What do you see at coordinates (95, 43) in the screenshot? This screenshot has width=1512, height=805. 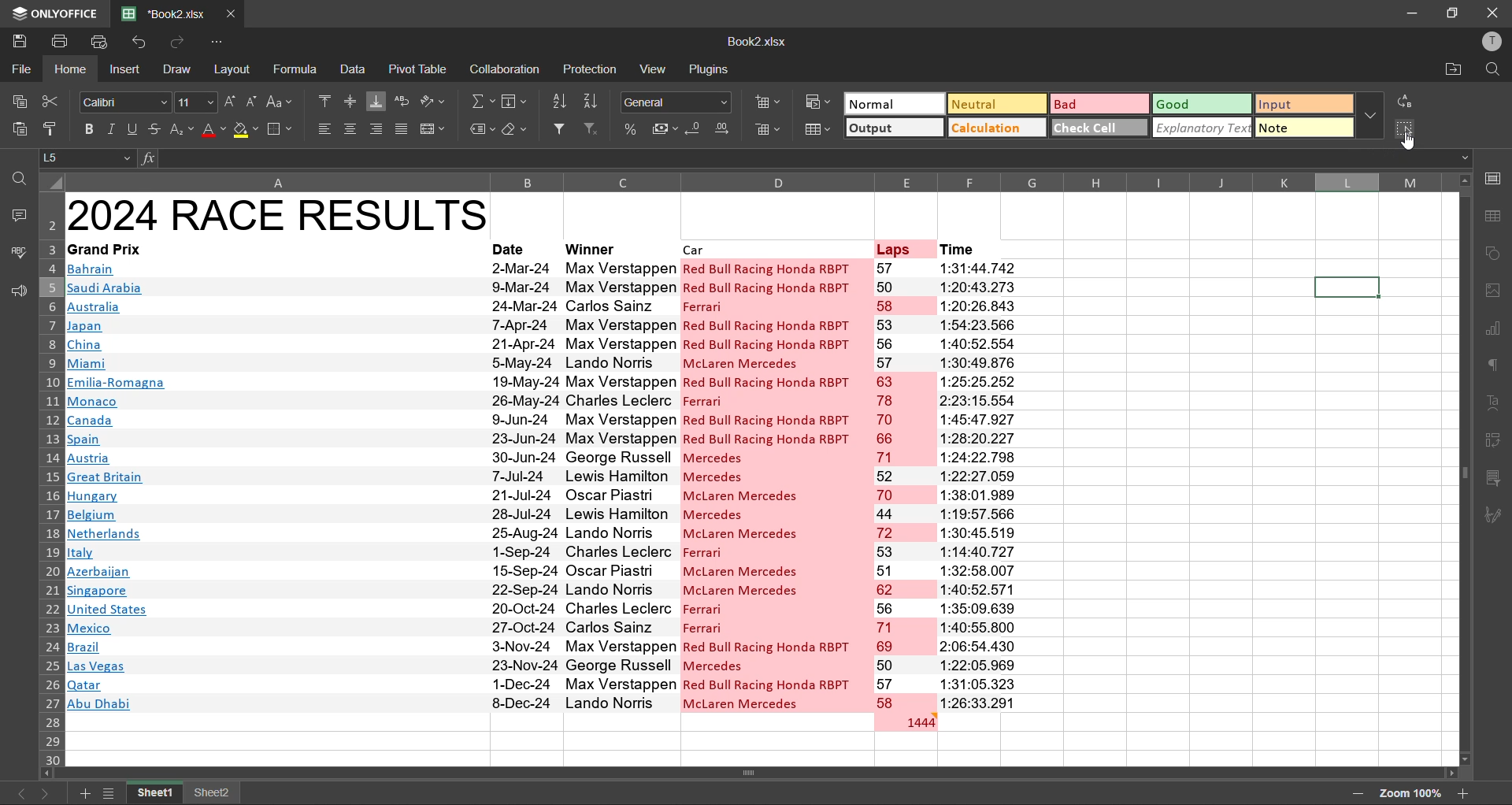 I see `quick print` at bounding box center [95, 43].